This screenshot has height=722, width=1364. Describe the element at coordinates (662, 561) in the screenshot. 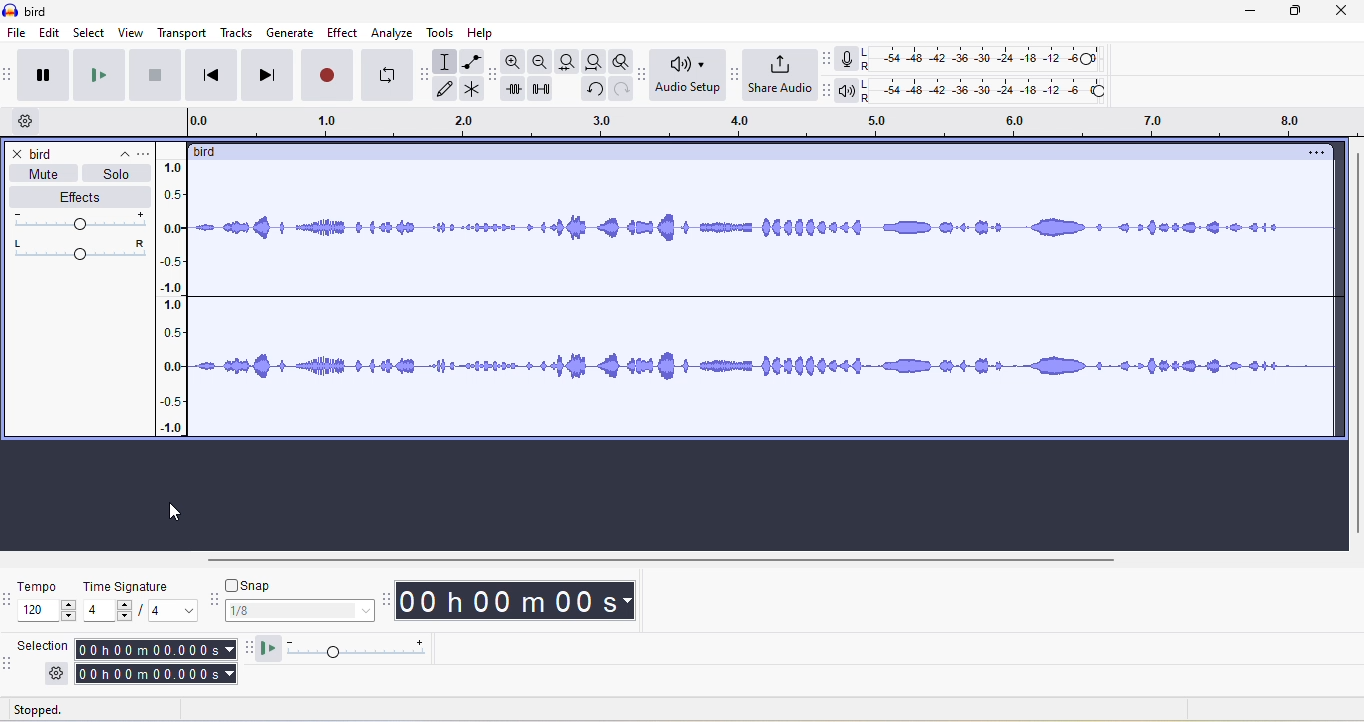

I see `horizontal scroll bar` at that location.